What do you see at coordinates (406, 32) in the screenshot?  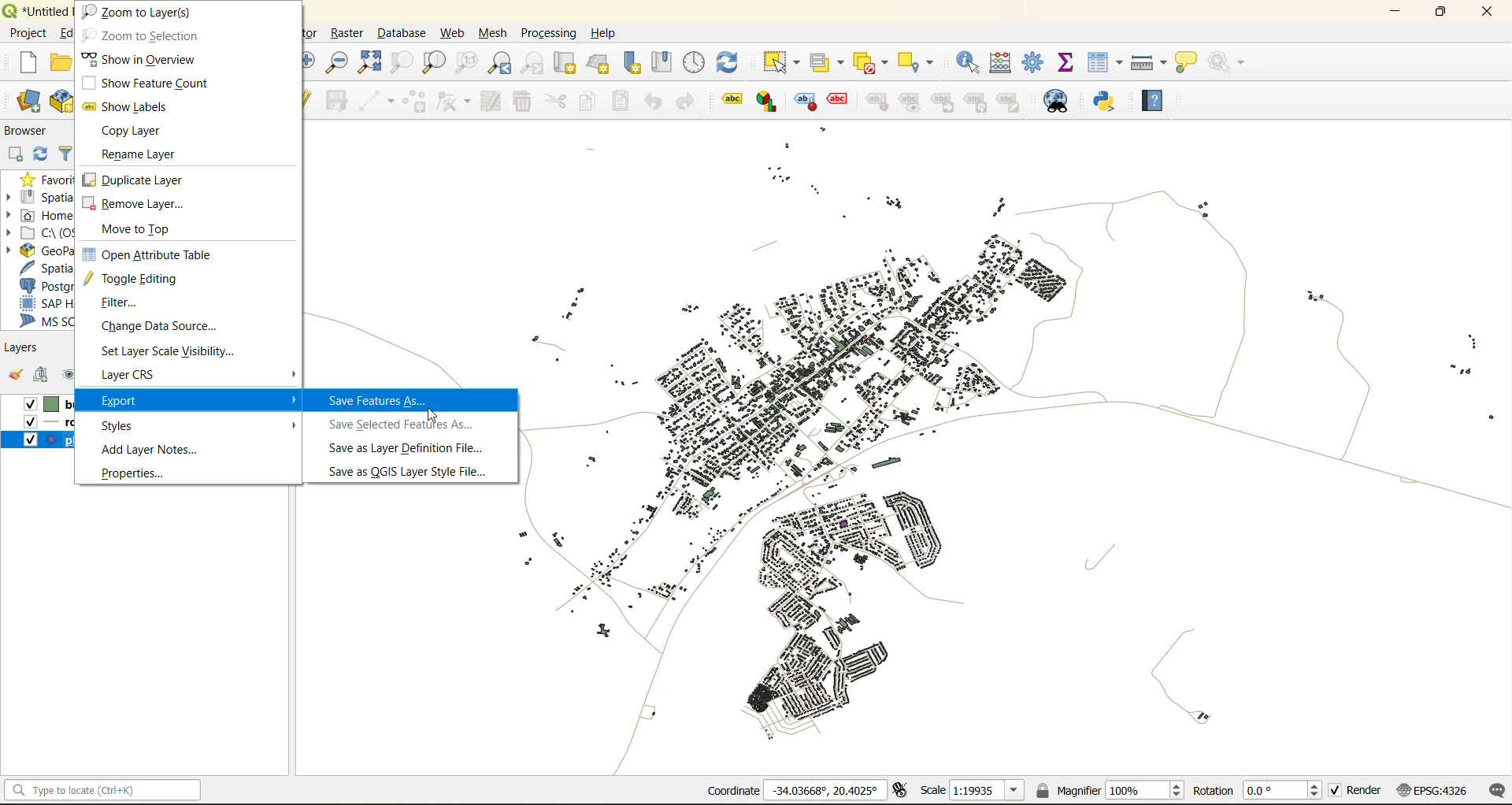 I see `database` at bounding box center [406, 32].